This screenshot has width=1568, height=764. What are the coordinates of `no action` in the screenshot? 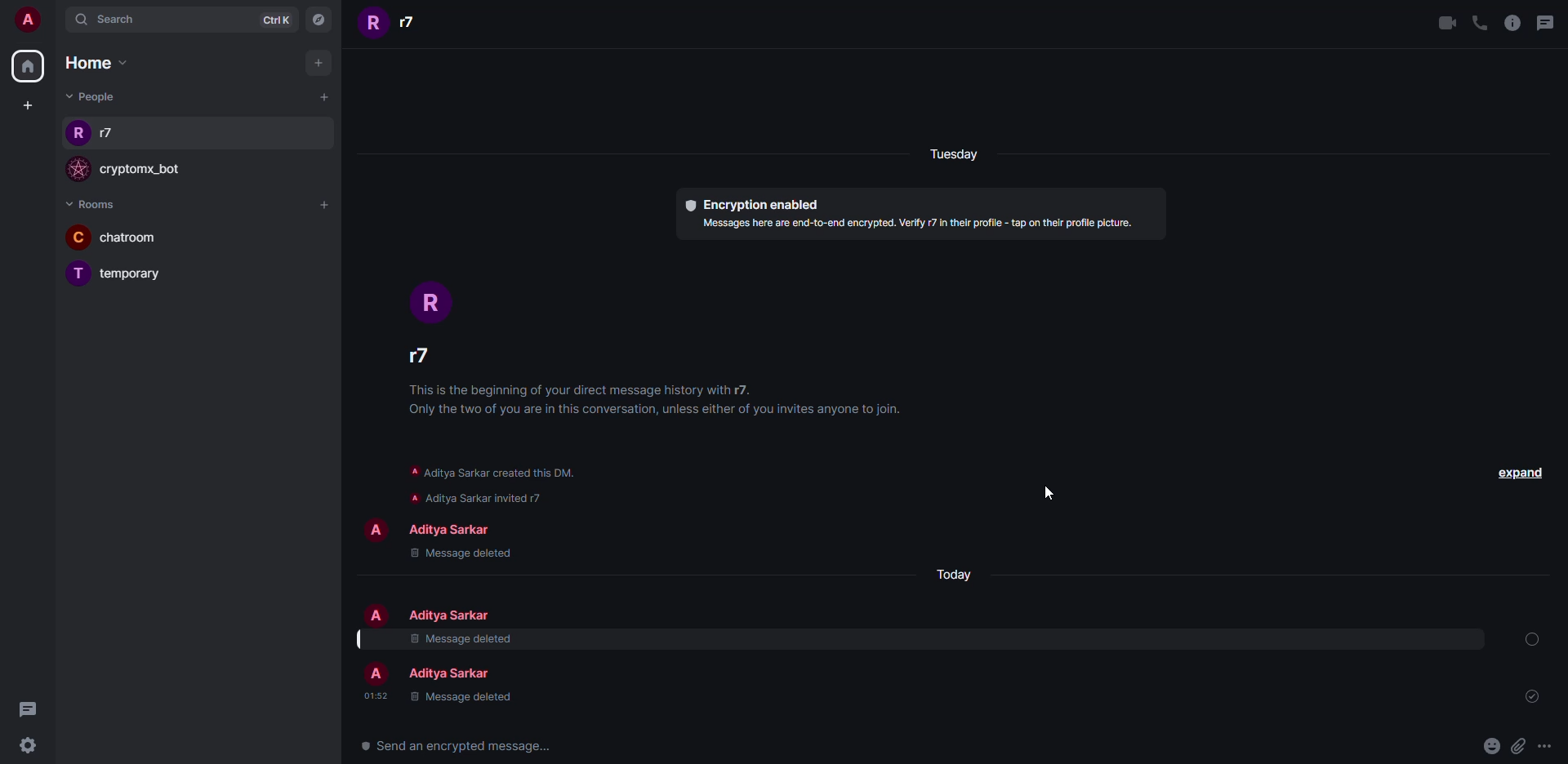 It's located at (1533, 637).